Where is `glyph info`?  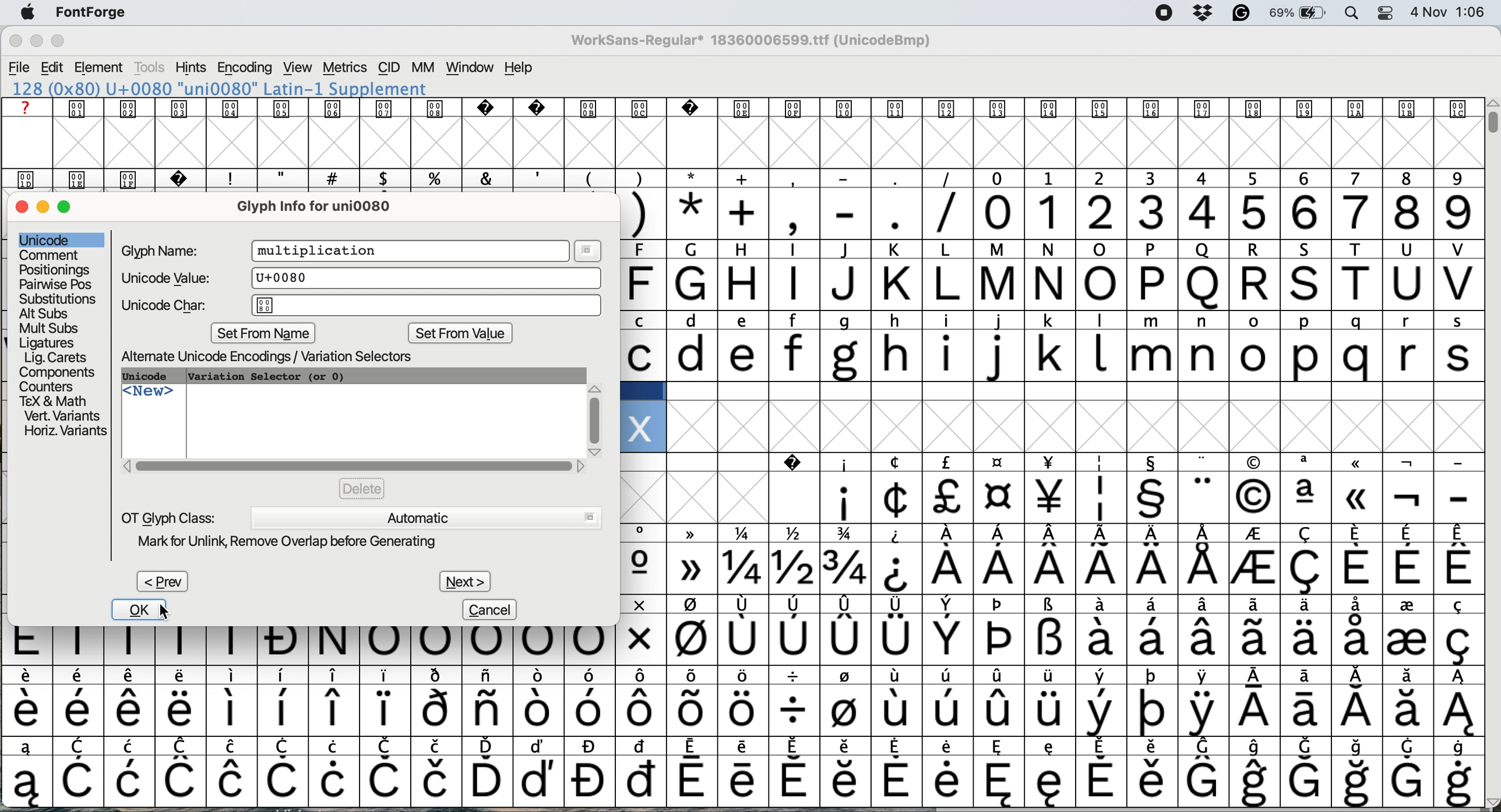 glyph info is located at coordinates (325, 206).